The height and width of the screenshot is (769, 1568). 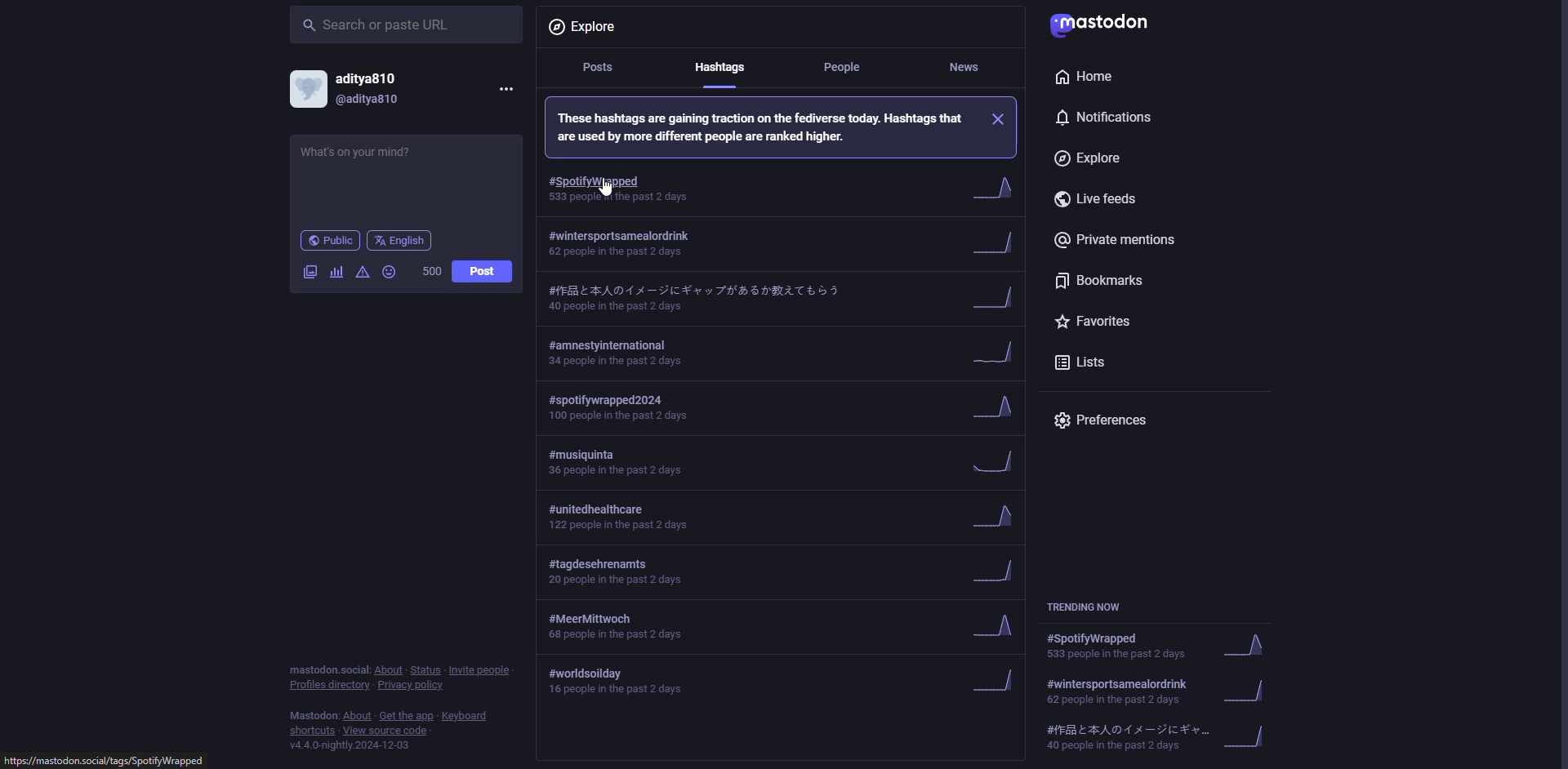 What do you see at coordinates (1111, 118) in the screenshot?
I see `notifications` at bounding box center [1111, 118].